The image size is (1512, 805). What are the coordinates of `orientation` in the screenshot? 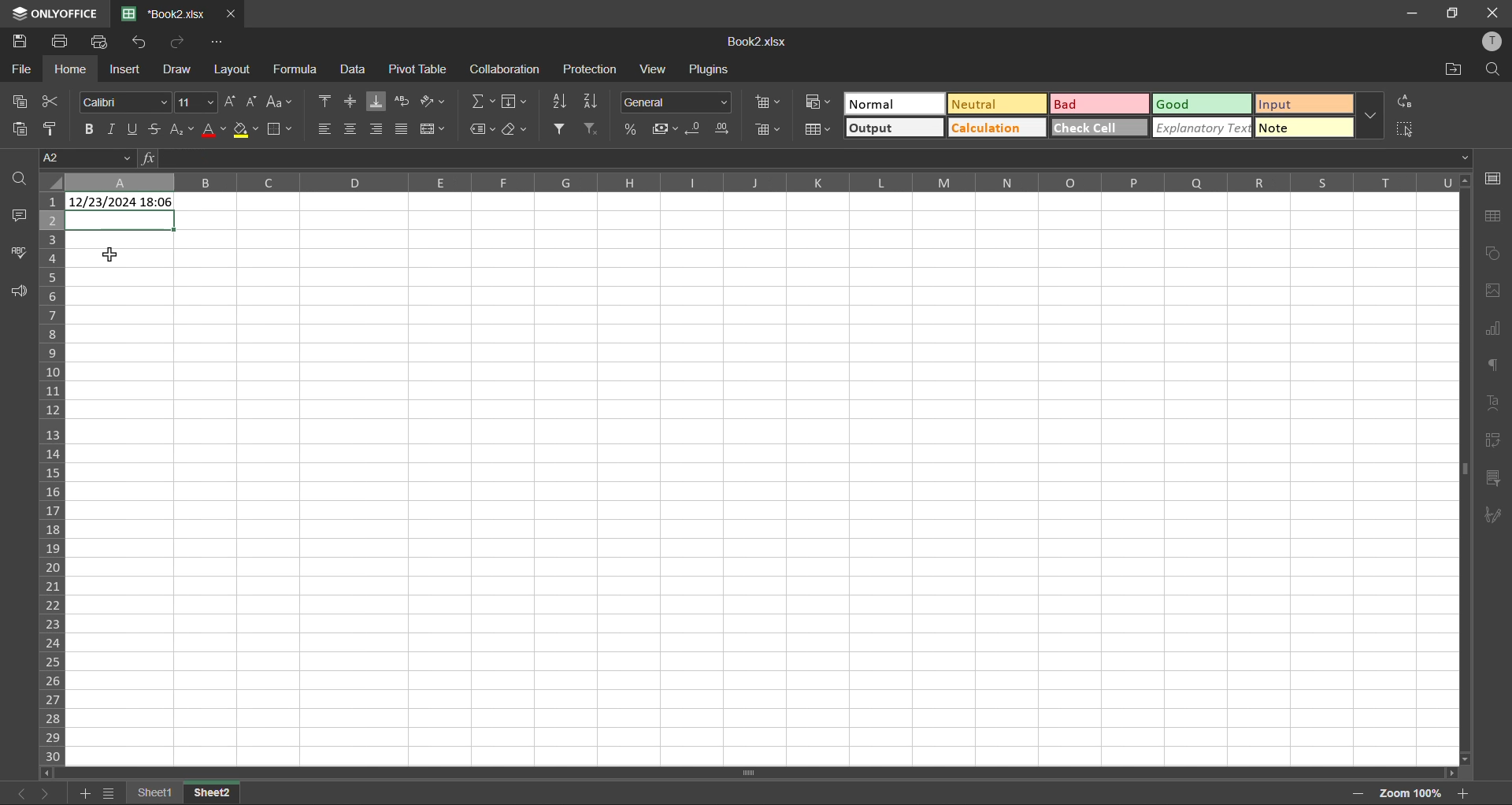 It's located at (429, 101).